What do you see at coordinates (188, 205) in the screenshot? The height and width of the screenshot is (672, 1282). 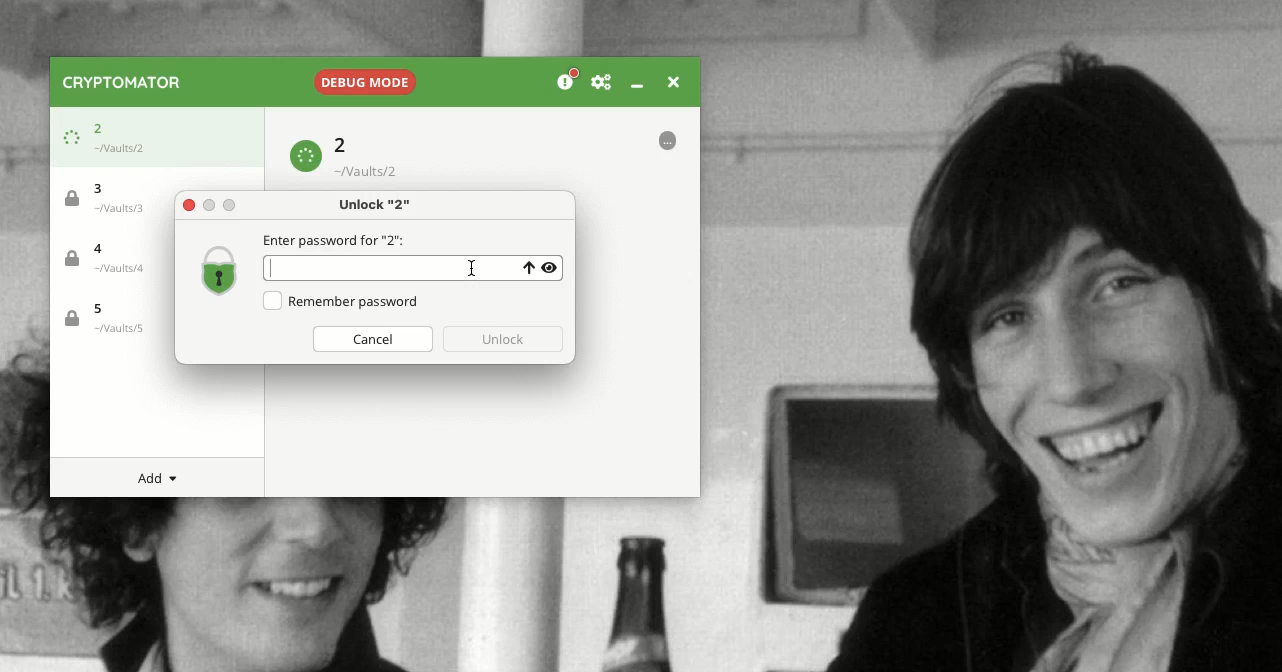 I see `Close` at bounding box center [188, 205].